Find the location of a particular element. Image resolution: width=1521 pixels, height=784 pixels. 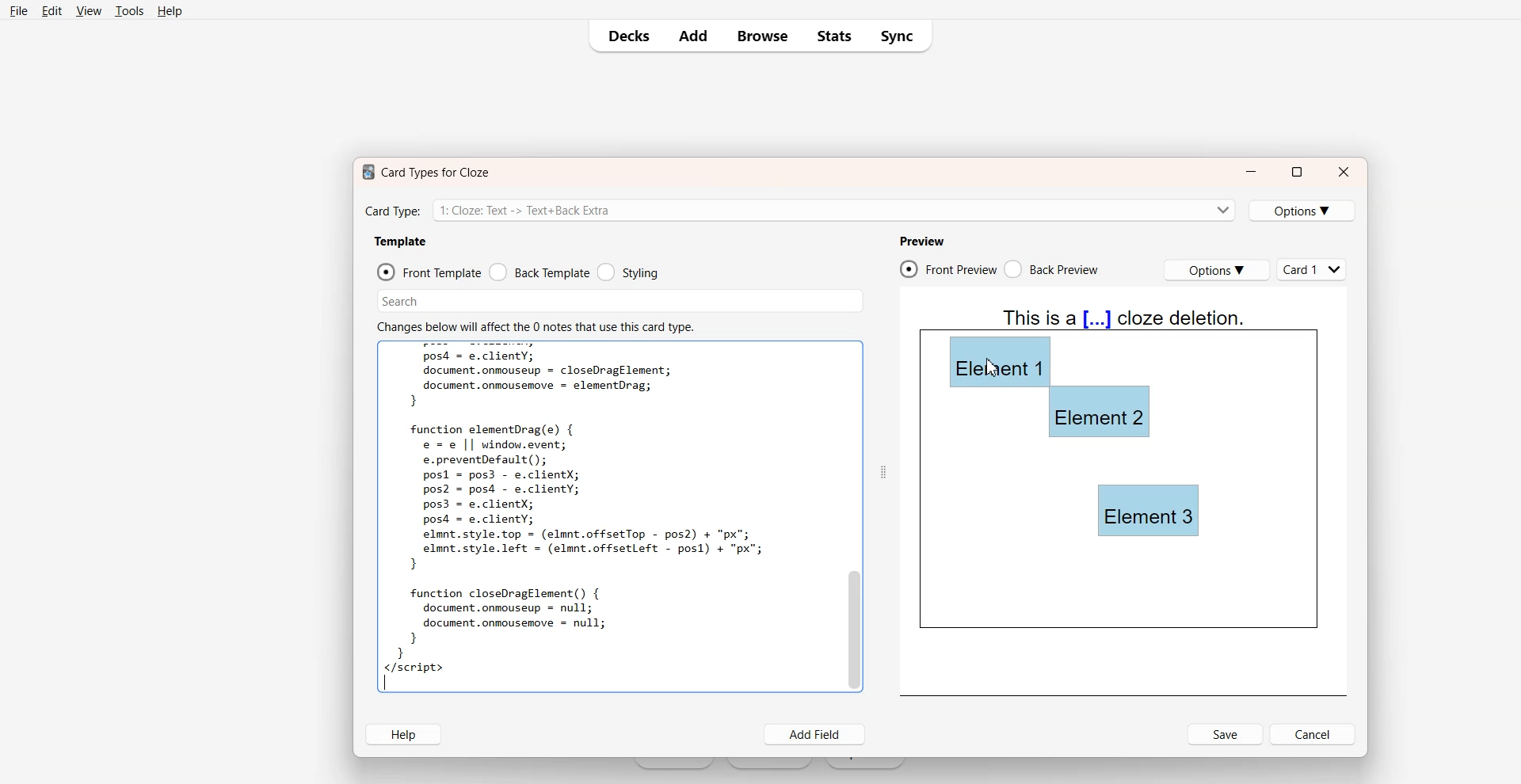

Help is located at coordinates (402, 734).